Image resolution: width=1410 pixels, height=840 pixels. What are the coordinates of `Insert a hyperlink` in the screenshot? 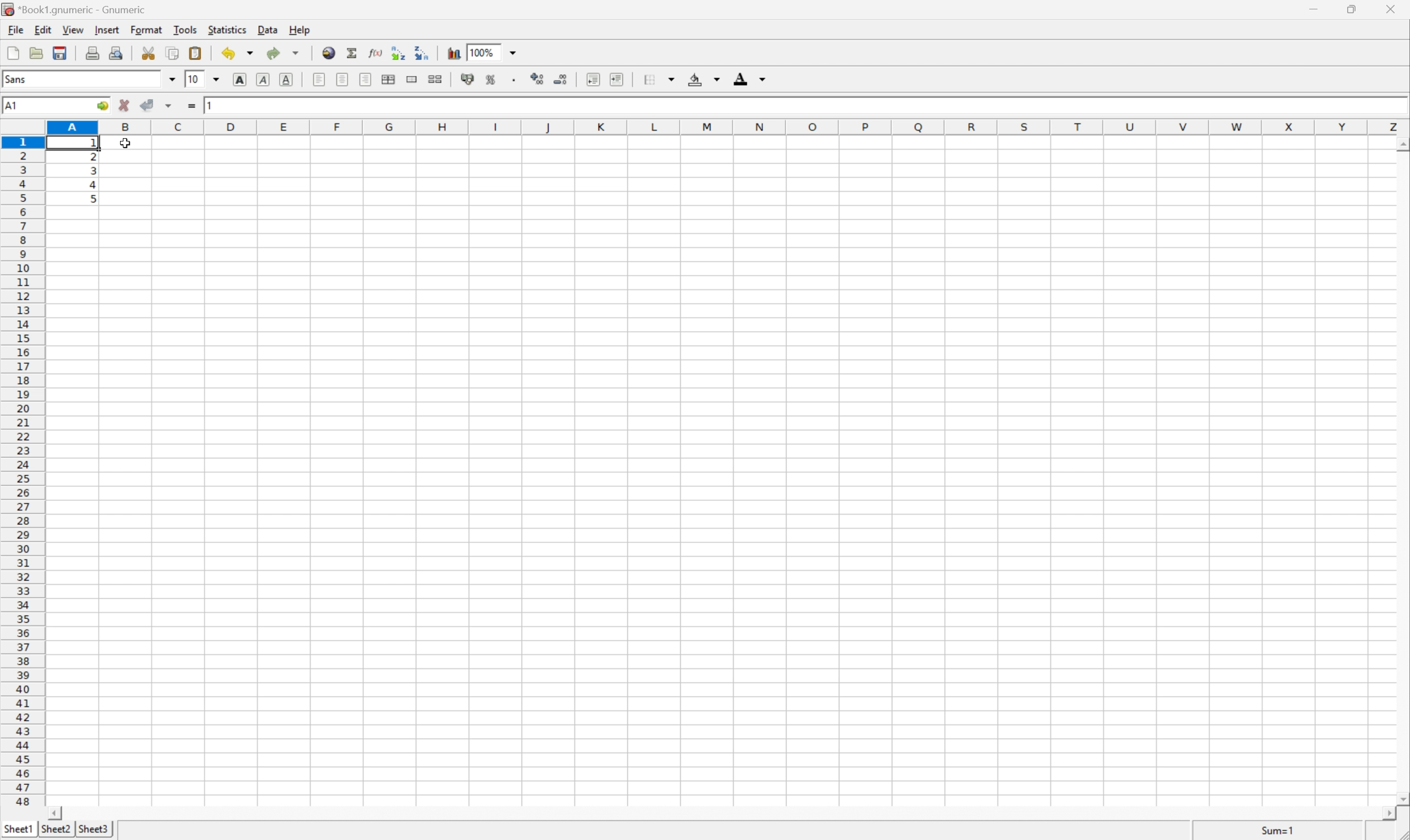 It's located at (329, 53).